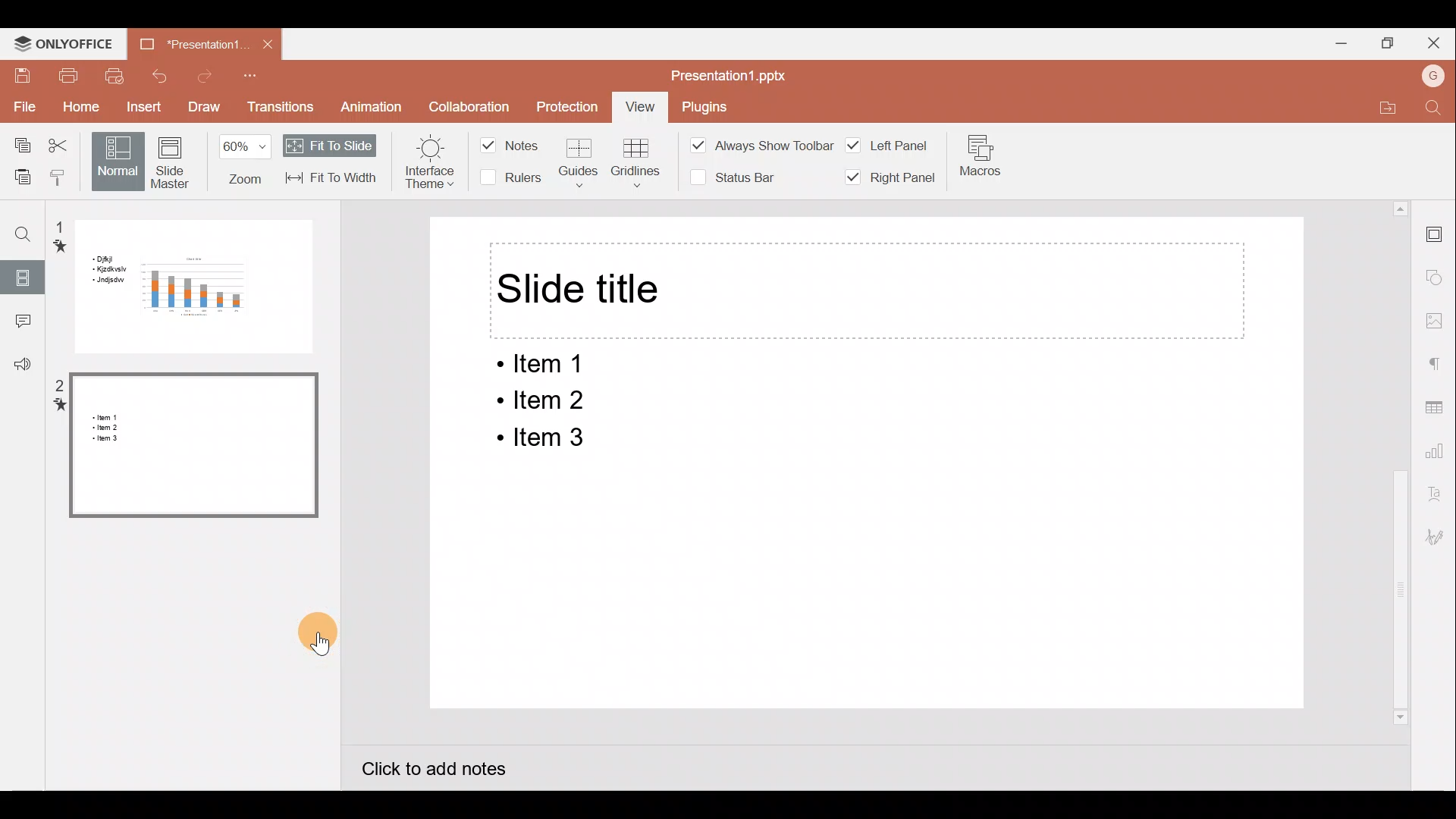 This screenshot has width=1456, height=819. I want to click on Undo, so click(162, 76).